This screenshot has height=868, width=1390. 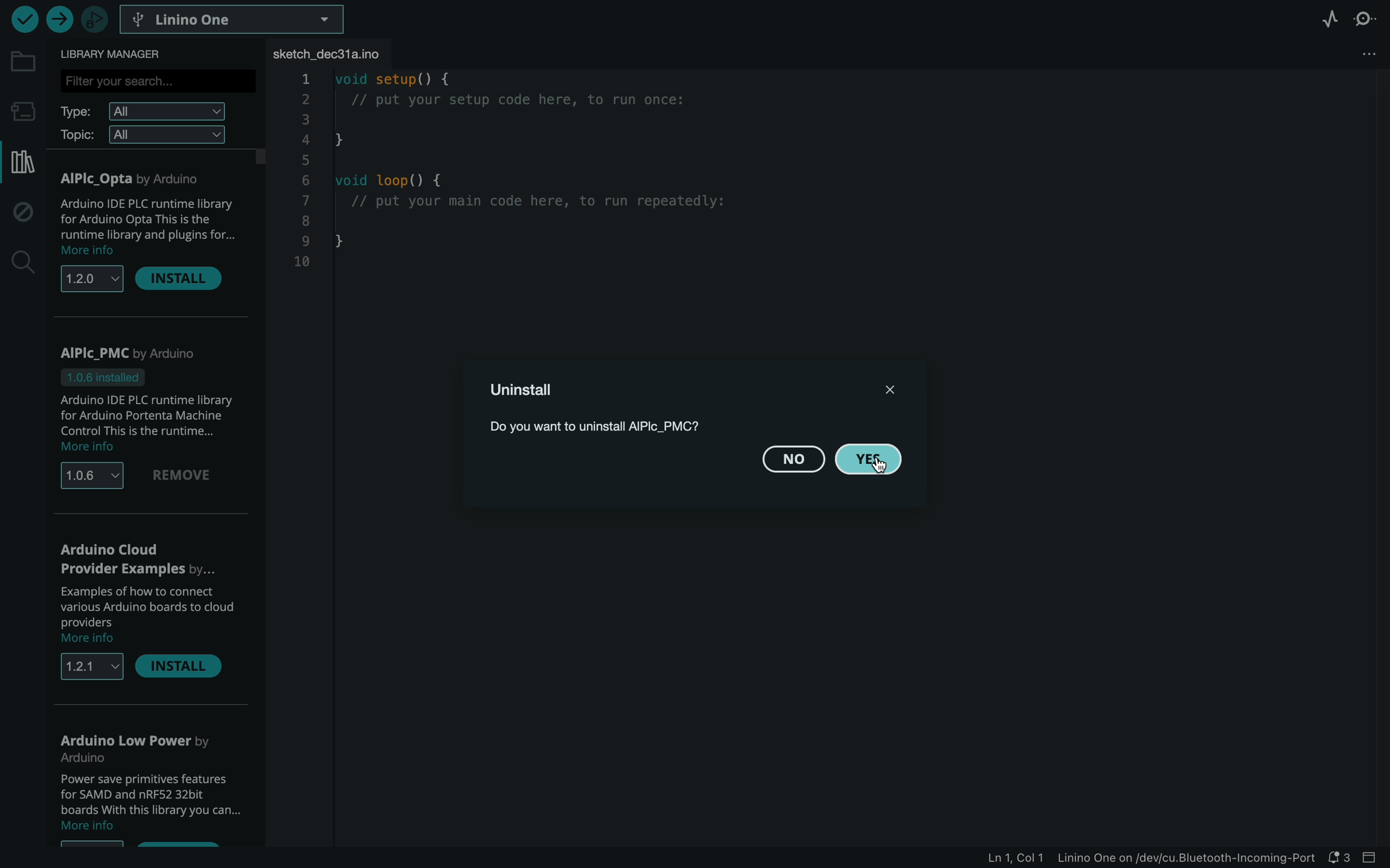 What do you see at coordinates (186, 476) in the screenshot?
I see `remove` at bounding box center [186, 476].